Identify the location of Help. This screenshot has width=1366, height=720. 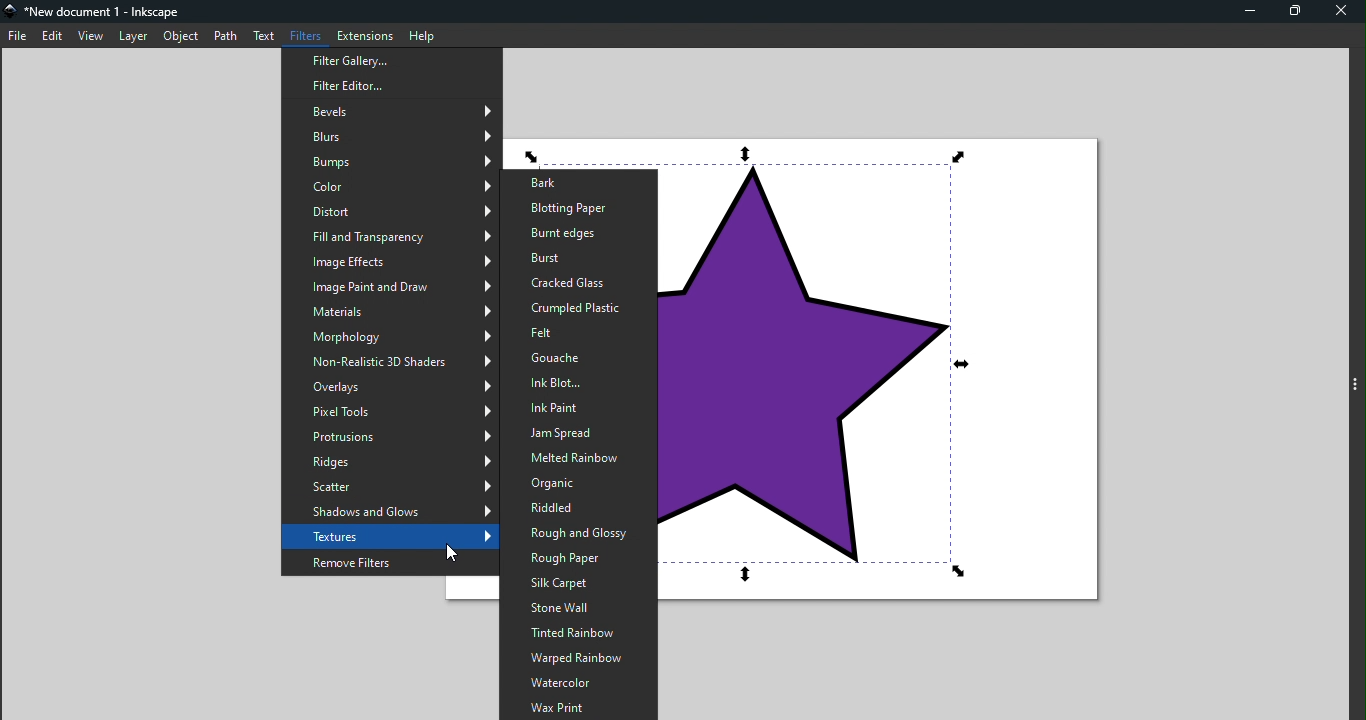
(421, 34).